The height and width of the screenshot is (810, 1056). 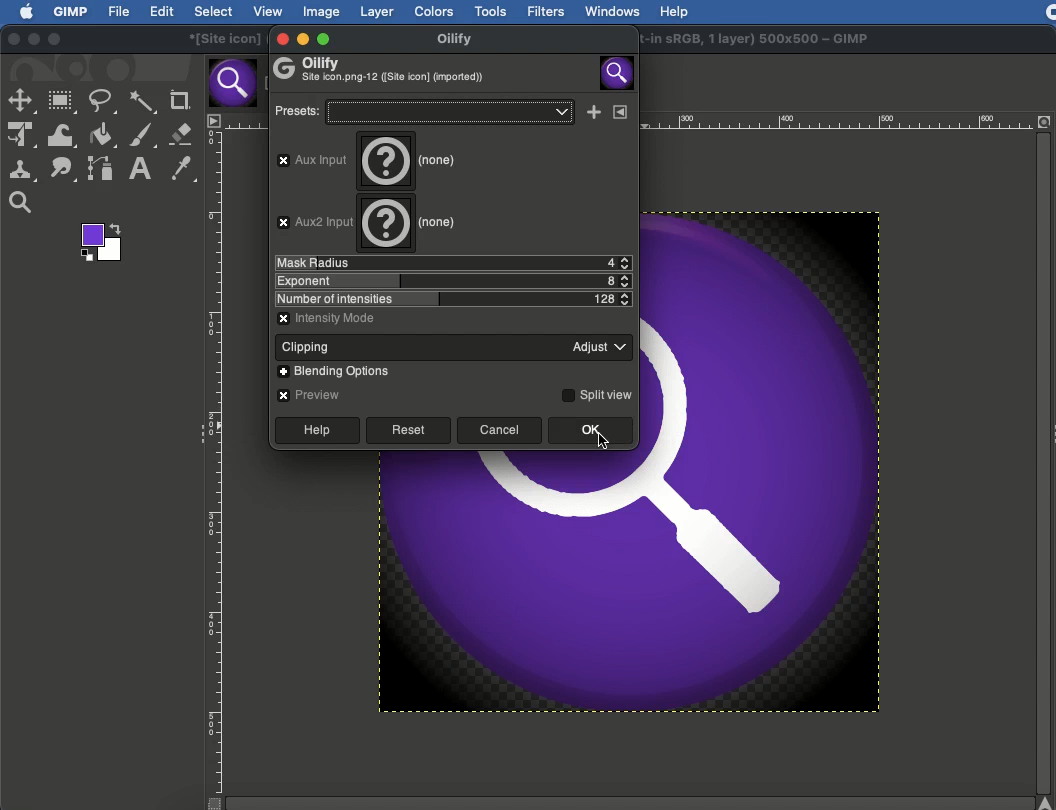 What do you see at coordinates (322, 39) in the screenshot?
I see `Maximize` at bounding box center [322, 39].